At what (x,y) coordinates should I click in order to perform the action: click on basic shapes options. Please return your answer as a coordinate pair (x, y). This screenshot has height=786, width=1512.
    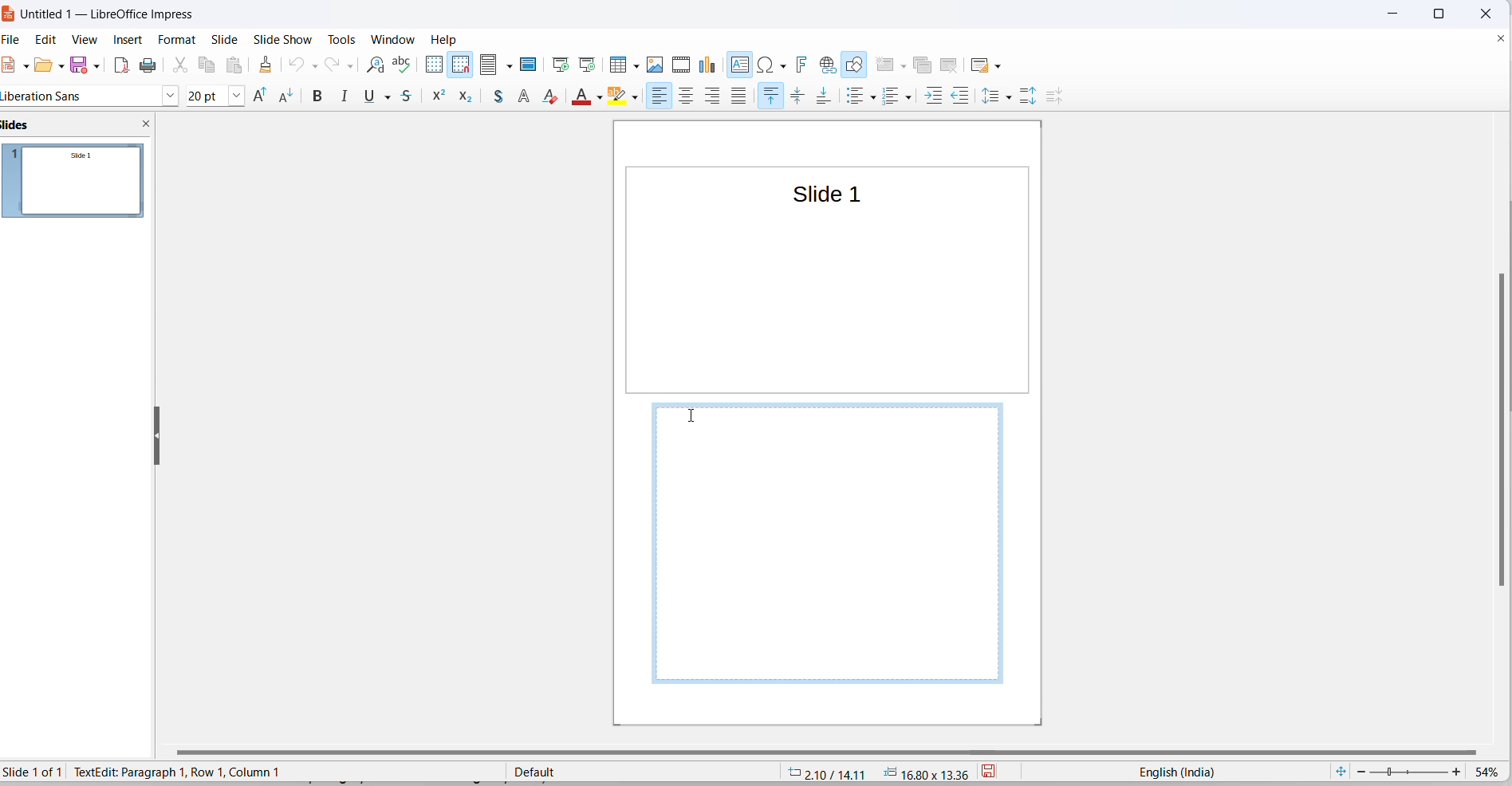
    Looking at the image, I should click on (359, 97).